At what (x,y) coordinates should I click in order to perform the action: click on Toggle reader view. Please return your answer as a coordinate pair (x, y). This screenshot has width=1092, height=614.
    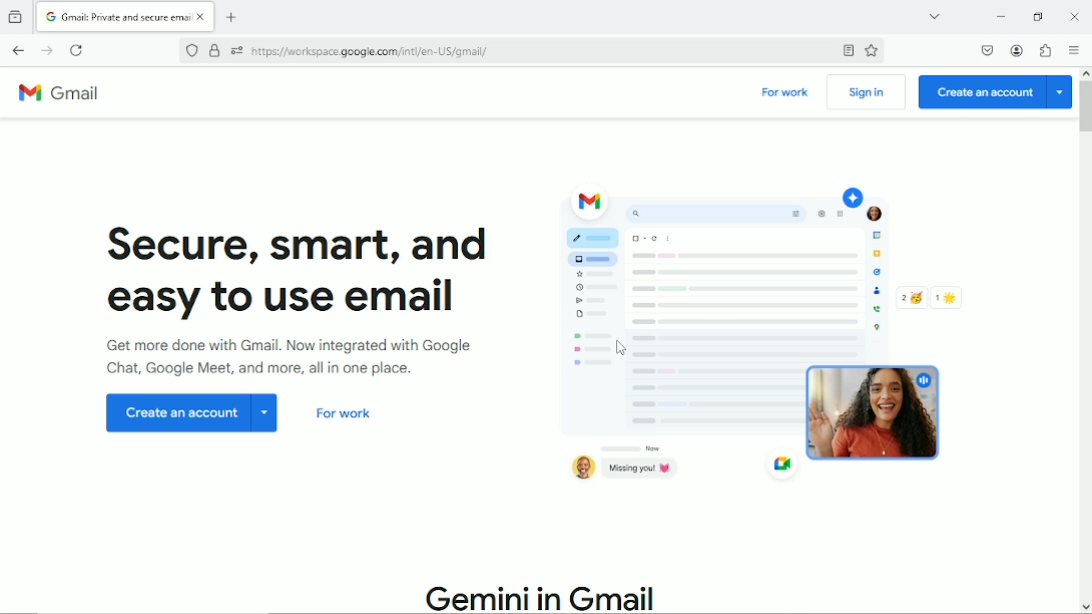
    Looking at the image, I should click on (846, 51).